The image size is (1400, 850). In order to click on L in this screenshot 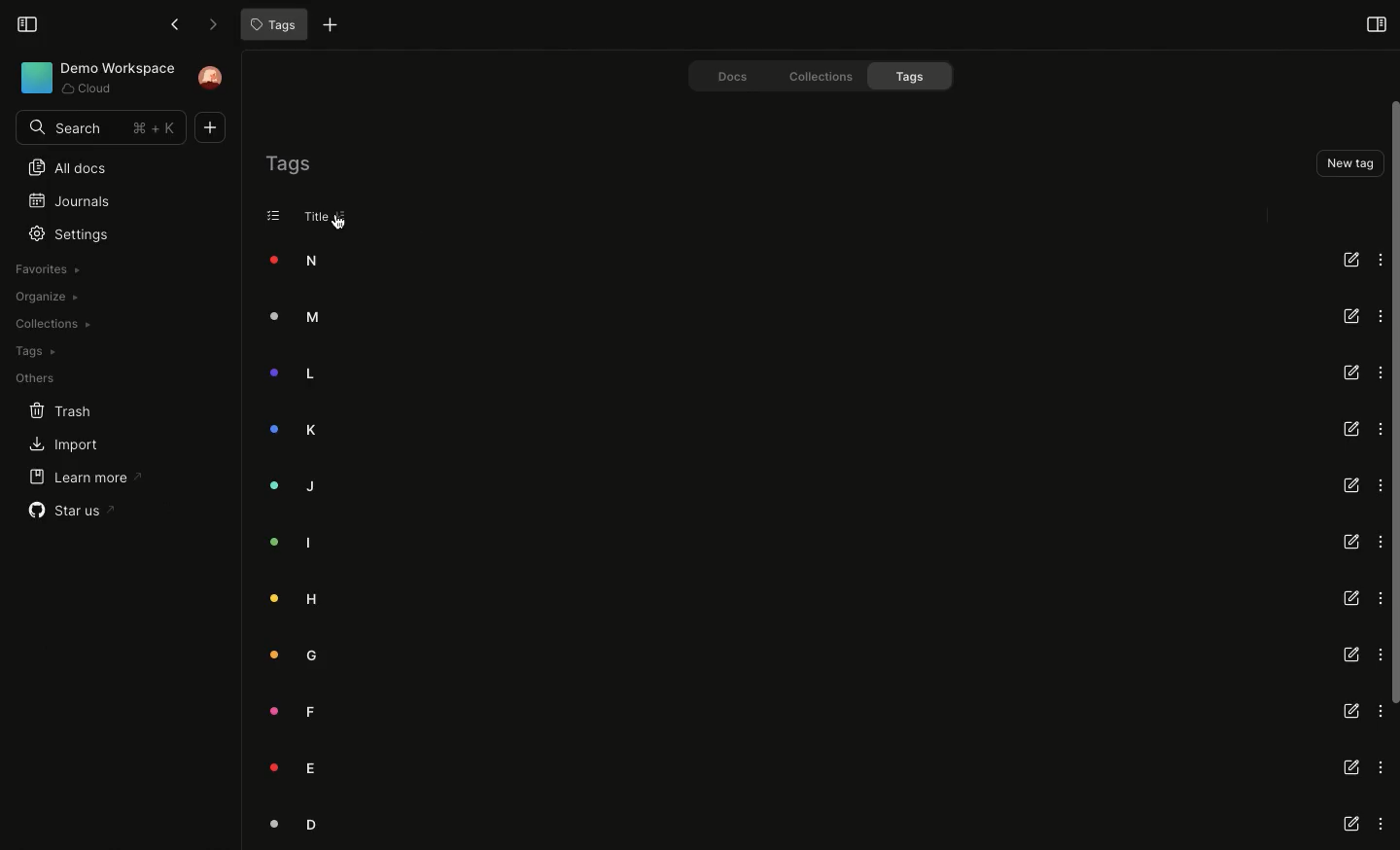, I will do `click(283, 375)`.